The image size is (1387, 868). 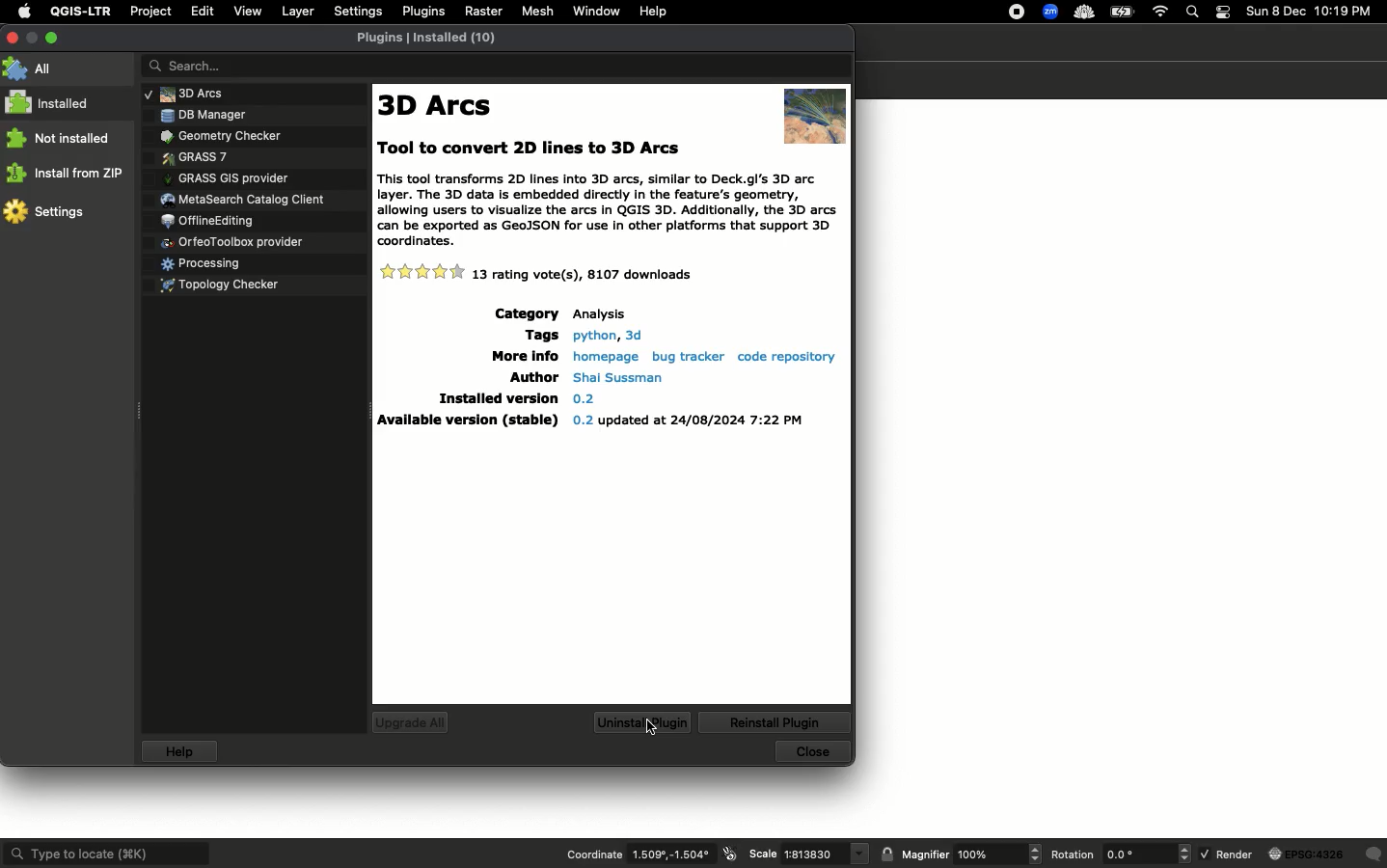 I want to click on Reinstall plugins, so click(x=775, y=722).